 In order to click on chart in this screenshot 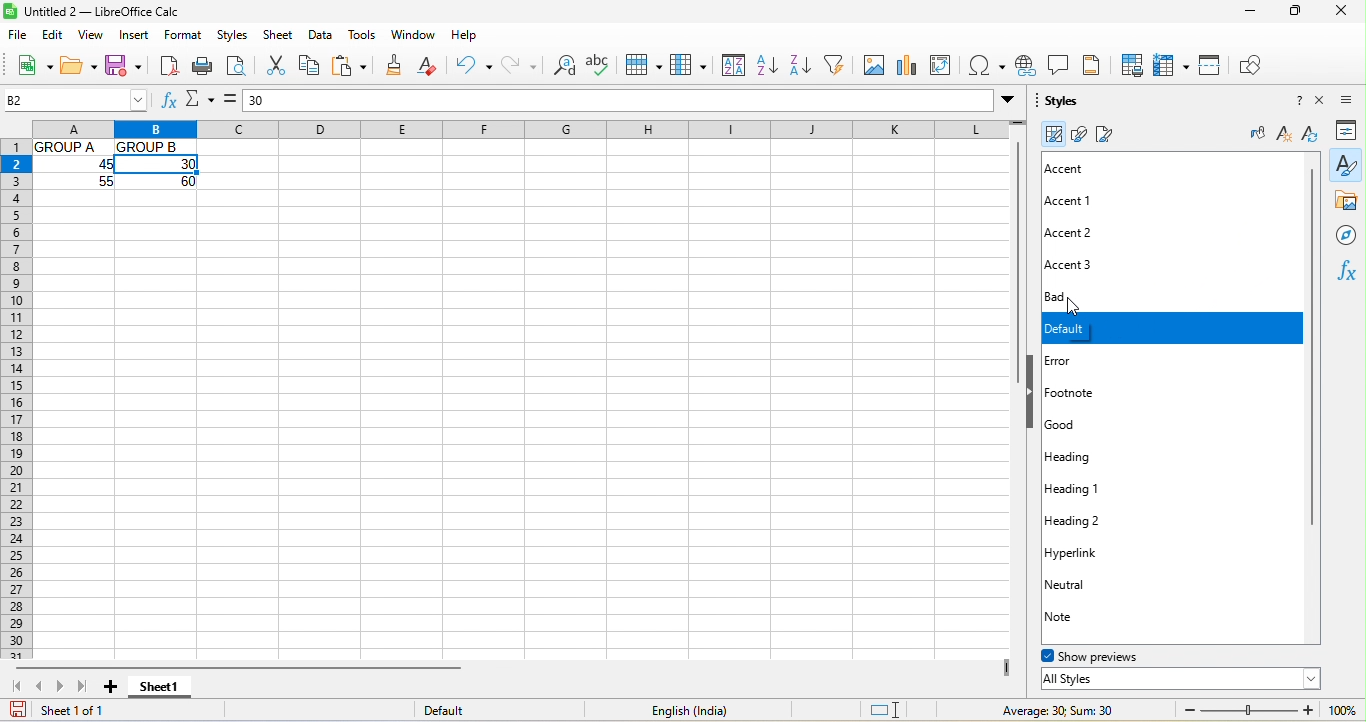, I will do `click(907, 65)`.